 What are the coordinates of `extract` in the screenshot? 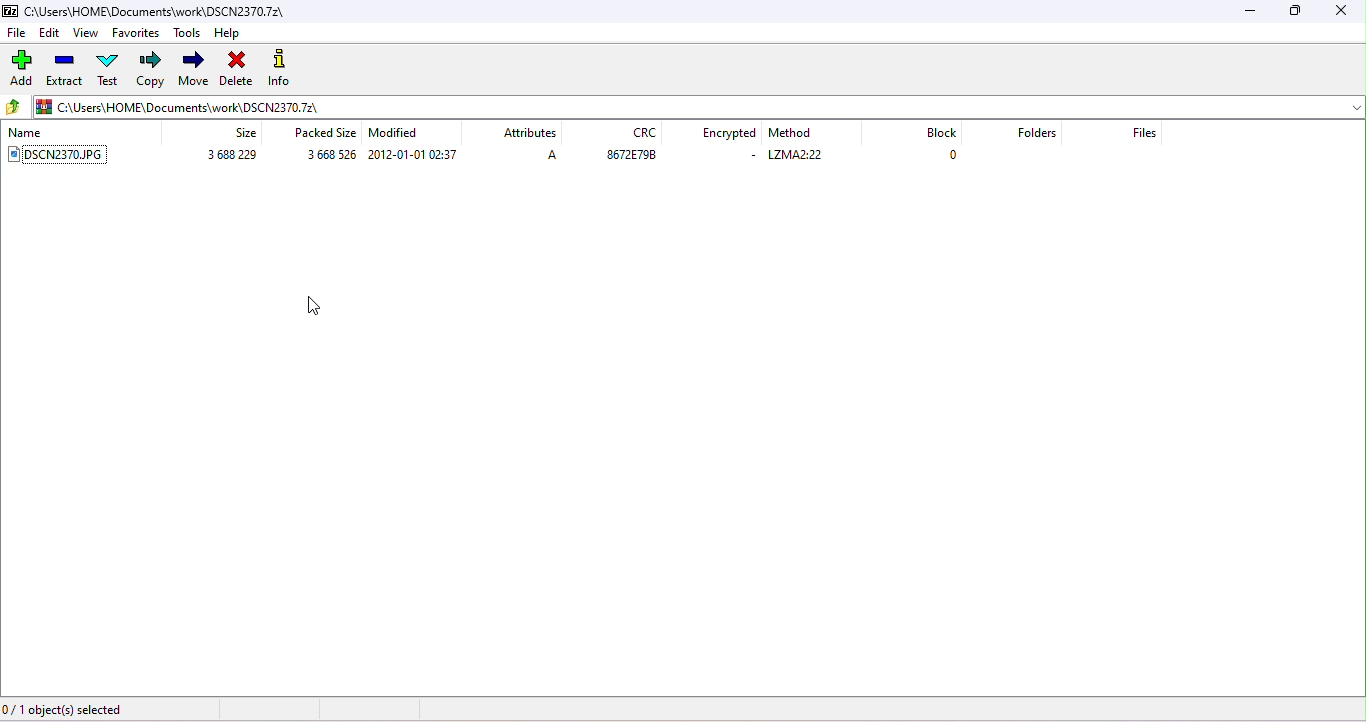 It's located at (65, 72).